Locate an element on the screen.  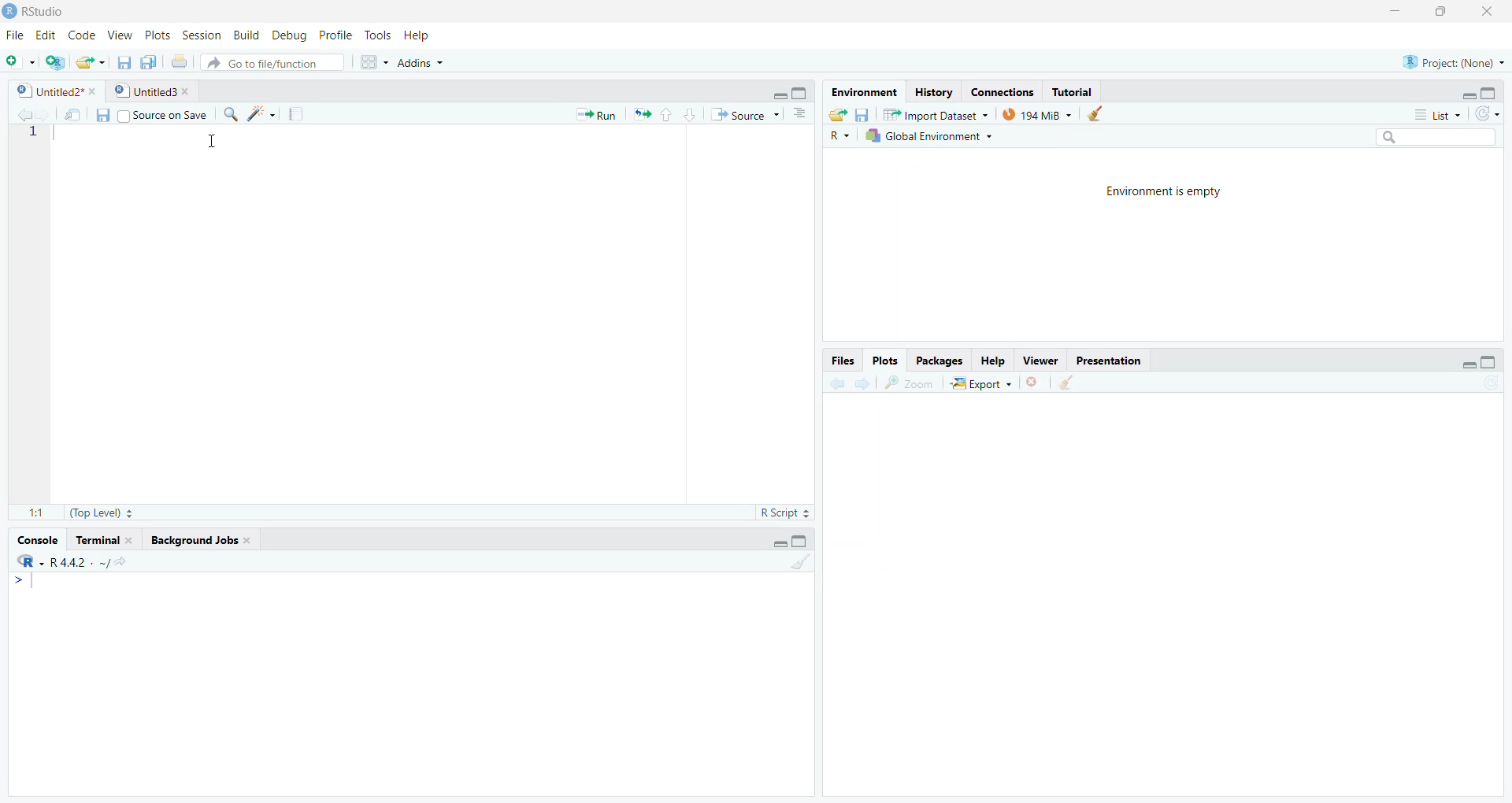
Cursor is located at coordinates (209, 142).